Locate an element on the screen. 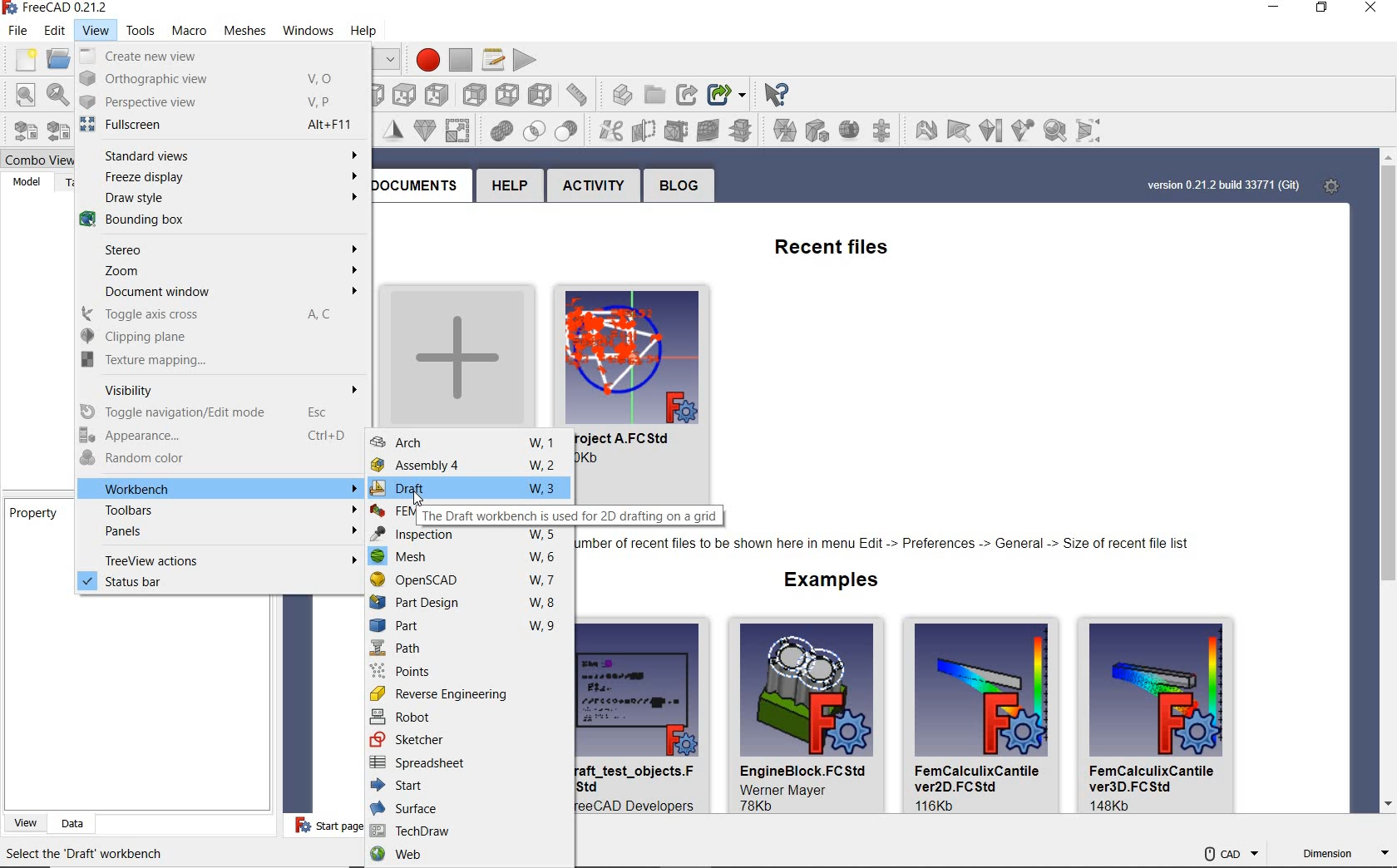  status bar is located at coordinates (218, 583).